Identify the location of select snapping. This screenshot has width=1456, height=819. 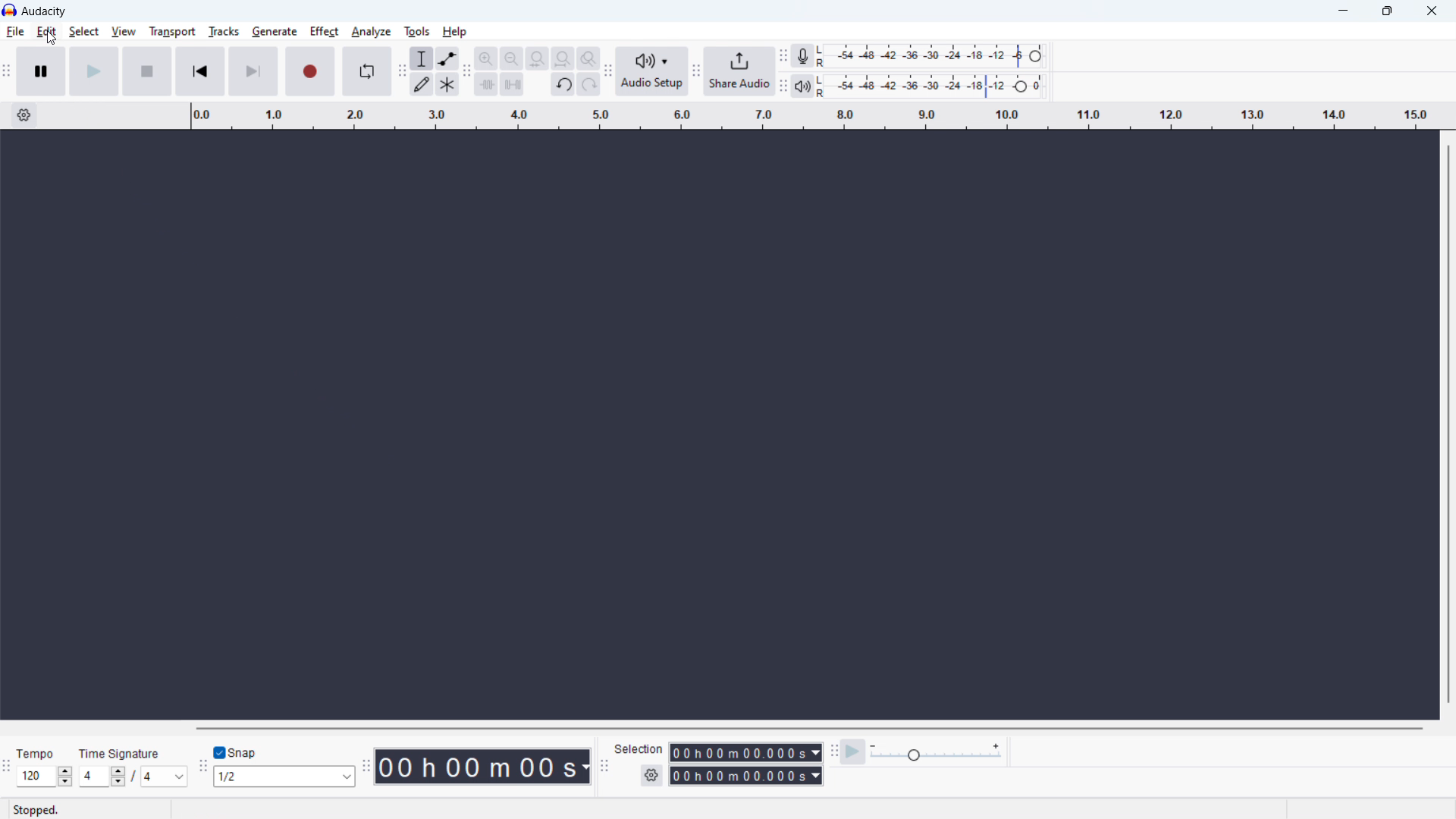
(284, 777).